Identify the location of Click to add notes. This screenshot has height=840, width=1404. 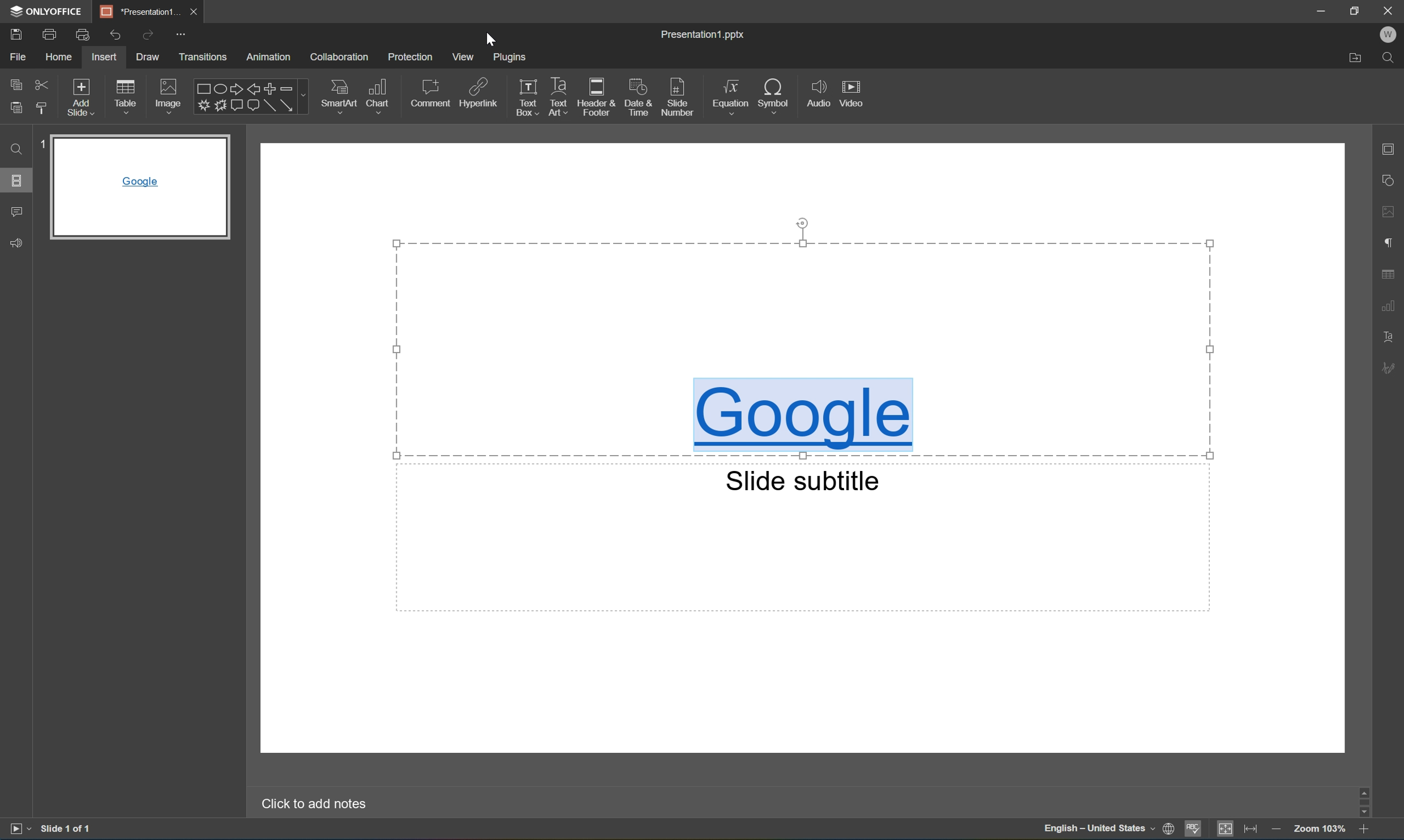
(310, 805).